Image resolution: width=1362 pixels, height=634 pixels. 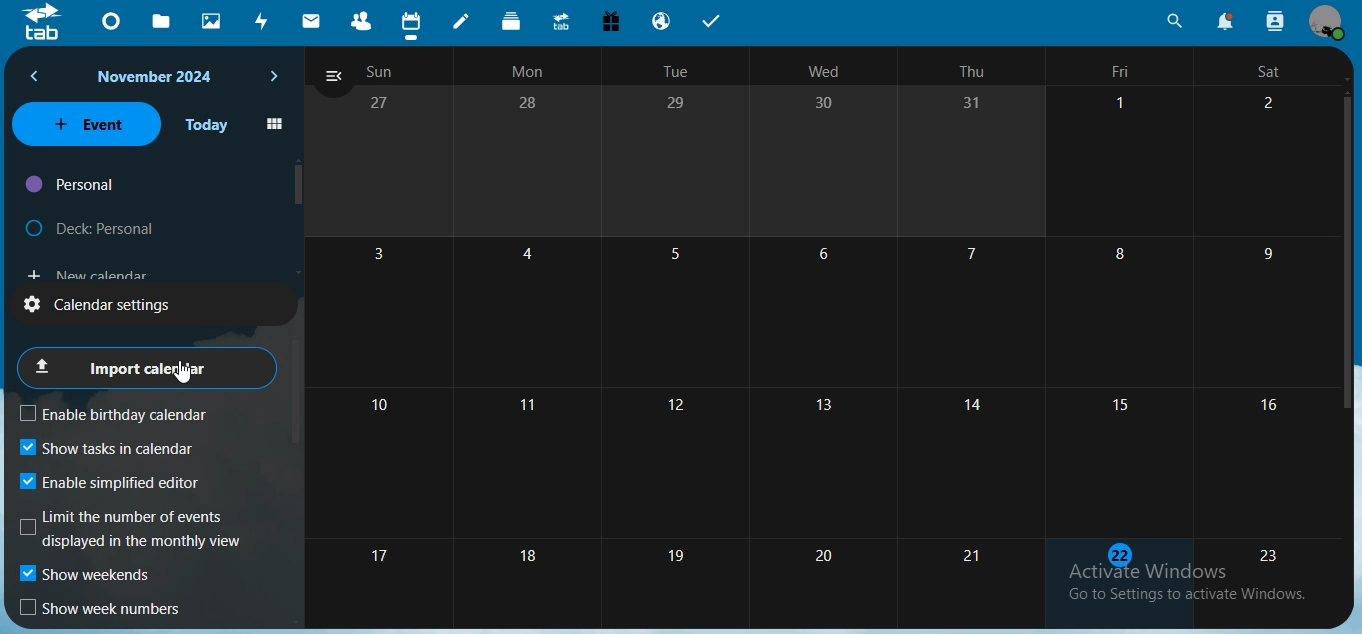 What do you see at coordinates (86, 271) in the screenshot?
I see `new calendar` at bounding box center [86, 271].